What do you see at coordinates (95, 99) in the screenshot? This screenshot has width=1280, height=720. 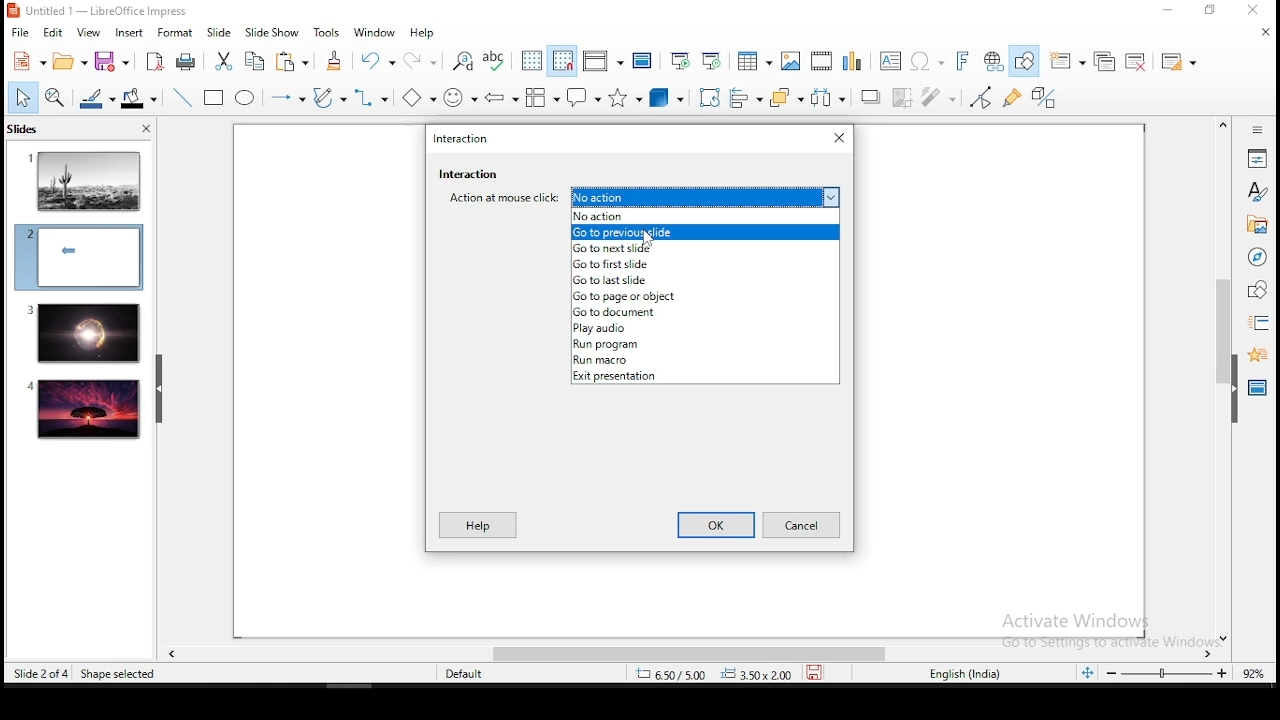 I see `line fill` at bounding box center [95, 99].